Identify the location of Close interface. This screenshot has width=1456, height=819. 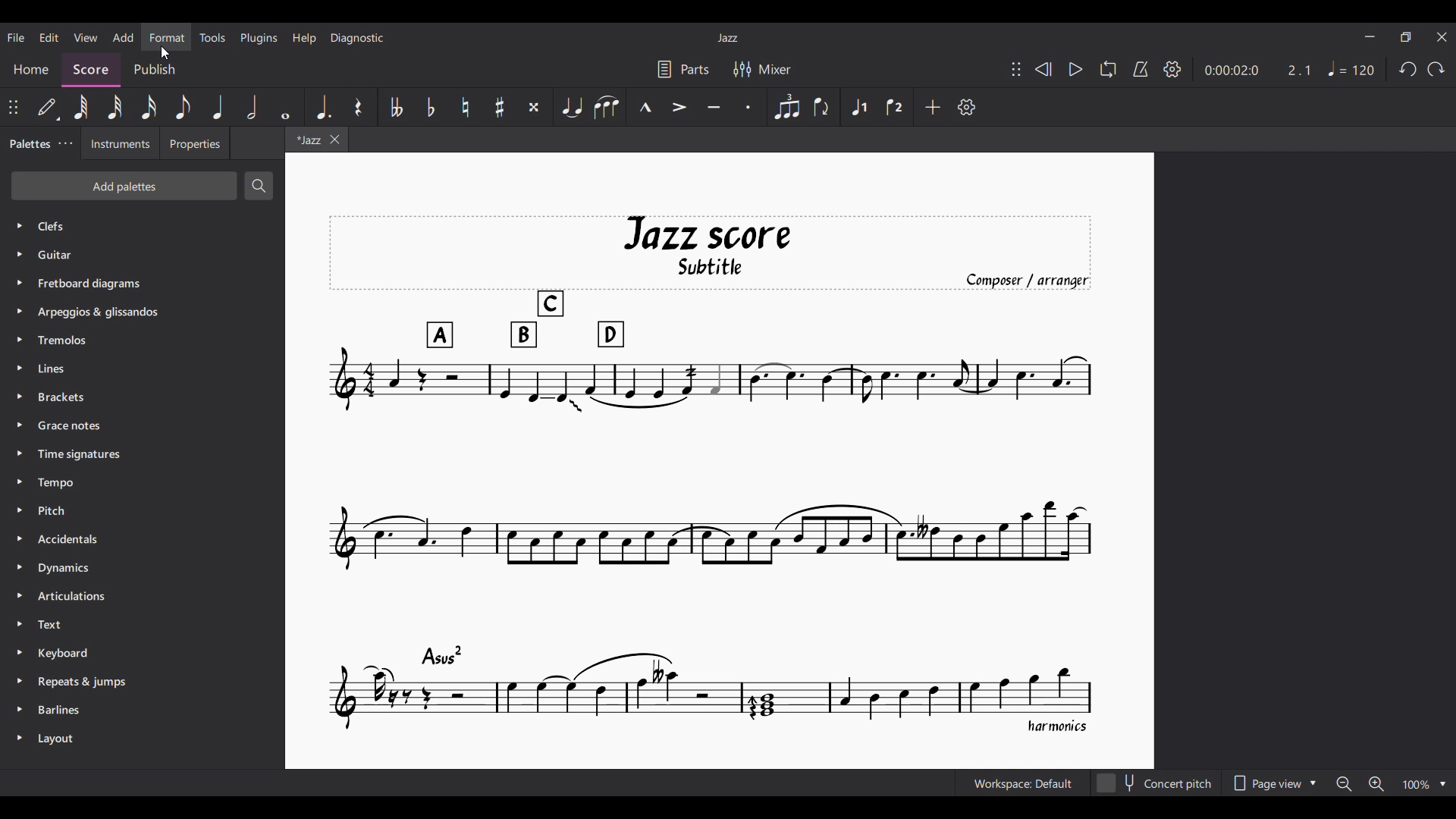
(1442, 37).